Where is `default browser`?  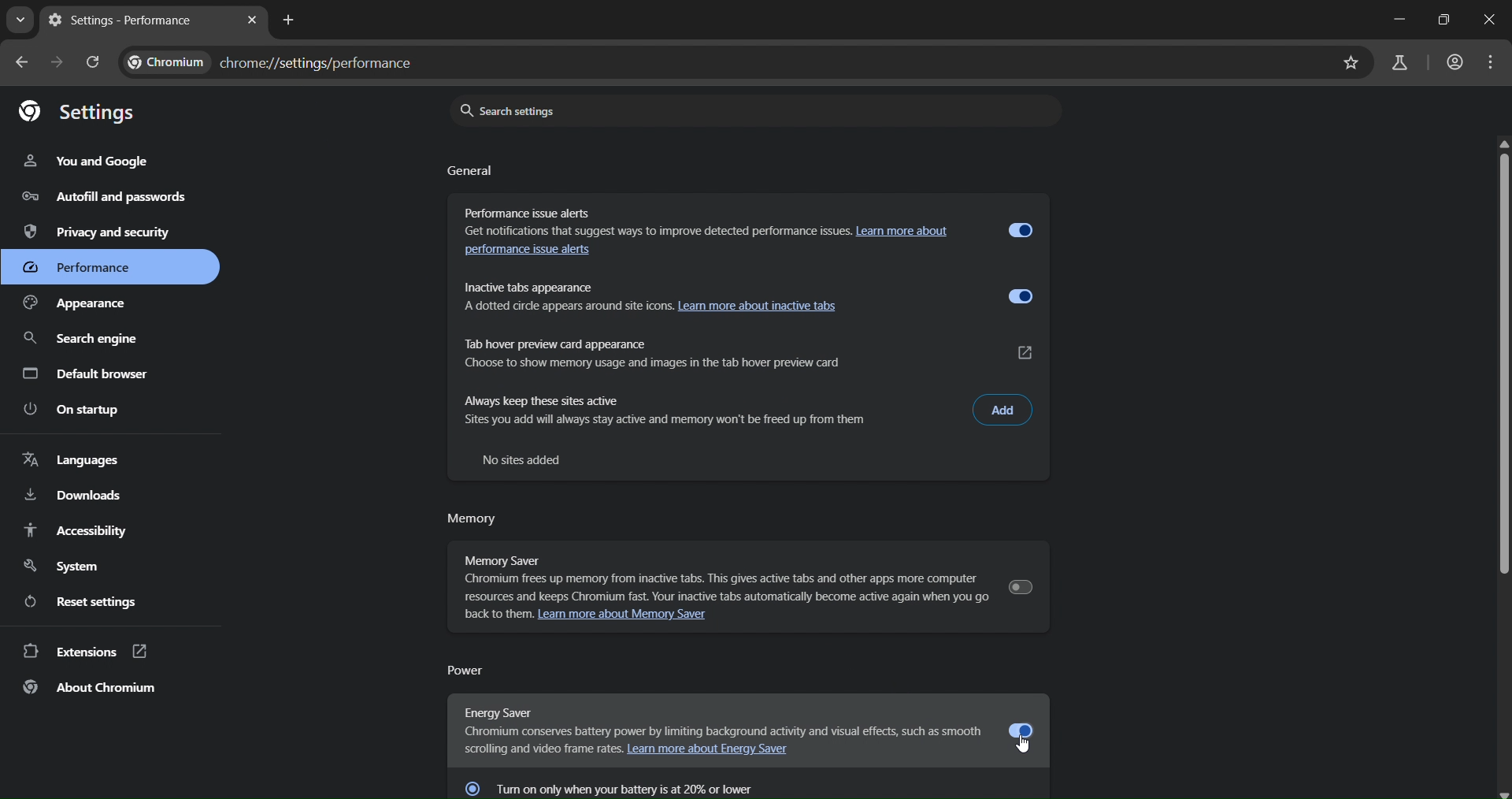
default browser is located at coordinates (87, 373).